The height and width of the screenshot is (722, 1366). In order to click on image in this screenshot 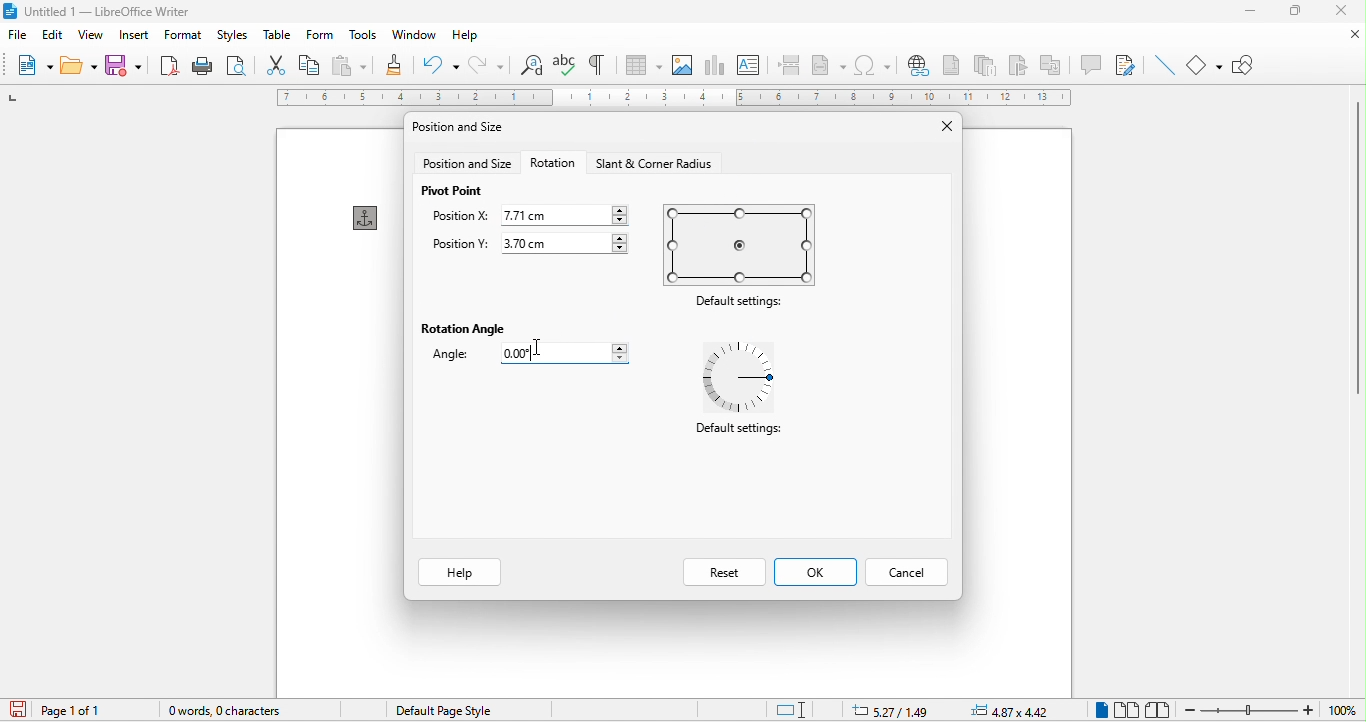, I will do `click(685, 64)`.